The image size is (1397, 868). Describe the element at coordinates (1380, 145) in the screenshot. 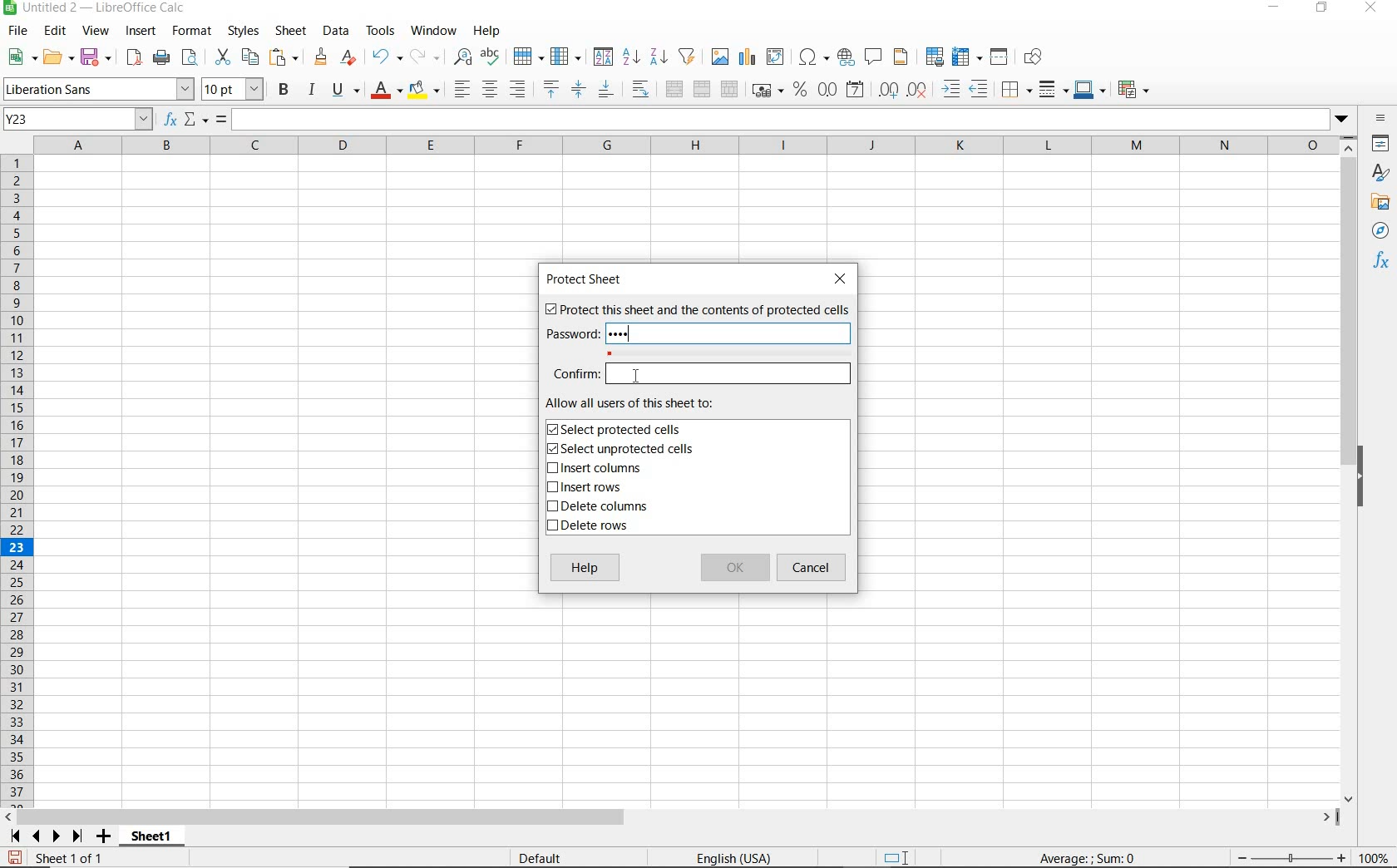

I see `PROPERTIES` at that location.